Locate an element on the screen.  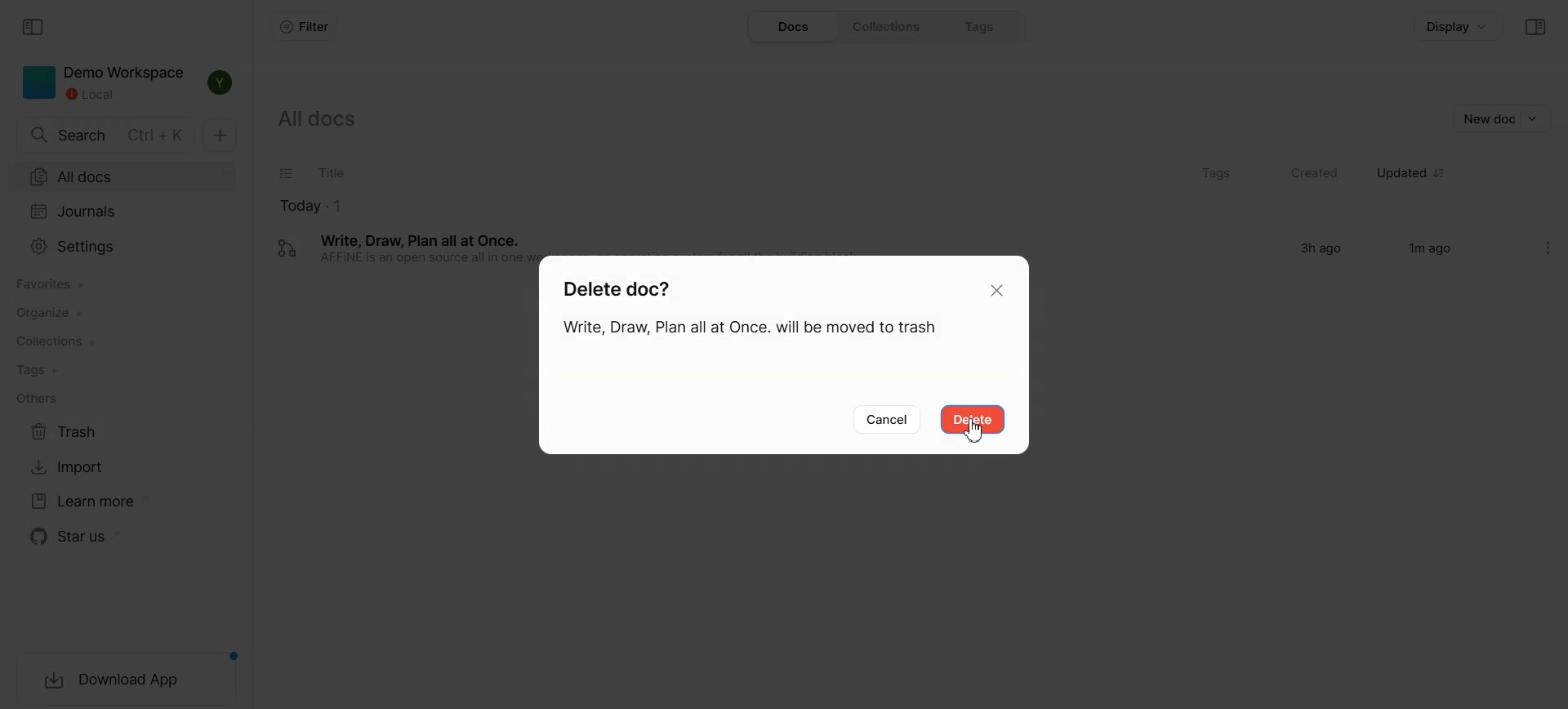
Tags is located at coordinates (122, 371).